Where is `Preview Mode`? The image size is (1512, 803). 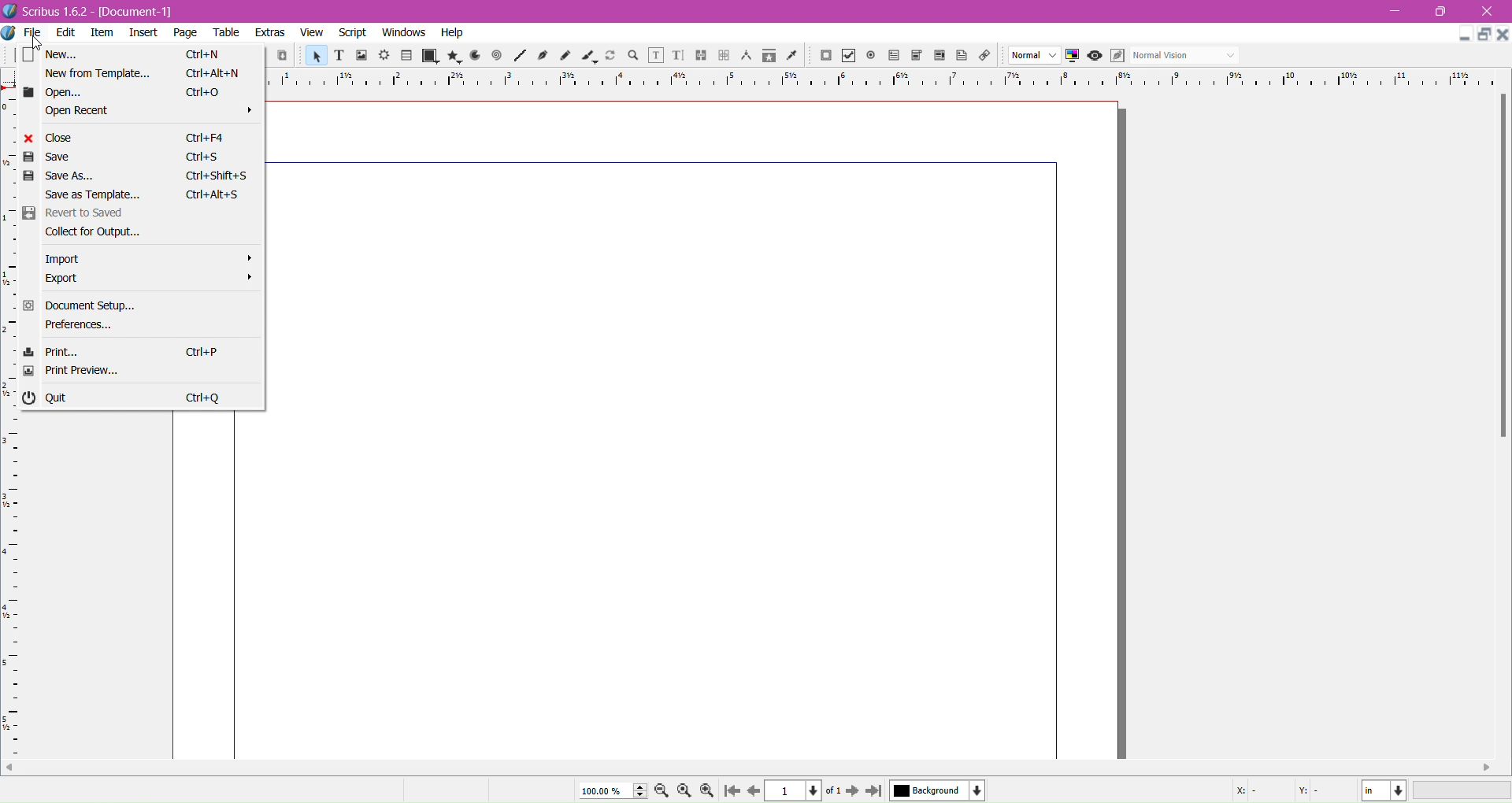 Preview Mode is located at coordinates (1093, 56).